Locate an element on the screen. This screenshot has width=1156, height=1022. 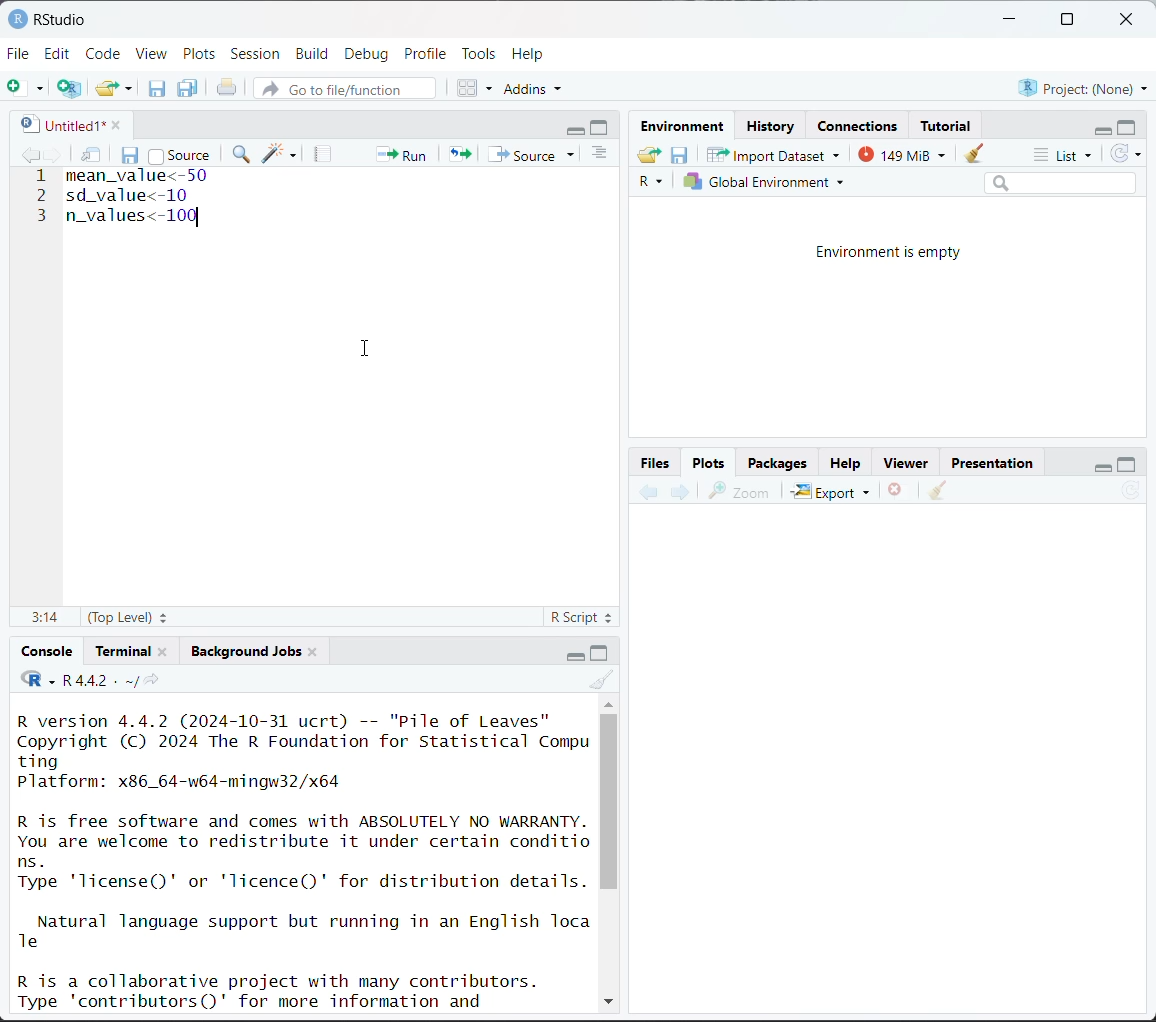
Tutorial is located at coordinates (948, 123).